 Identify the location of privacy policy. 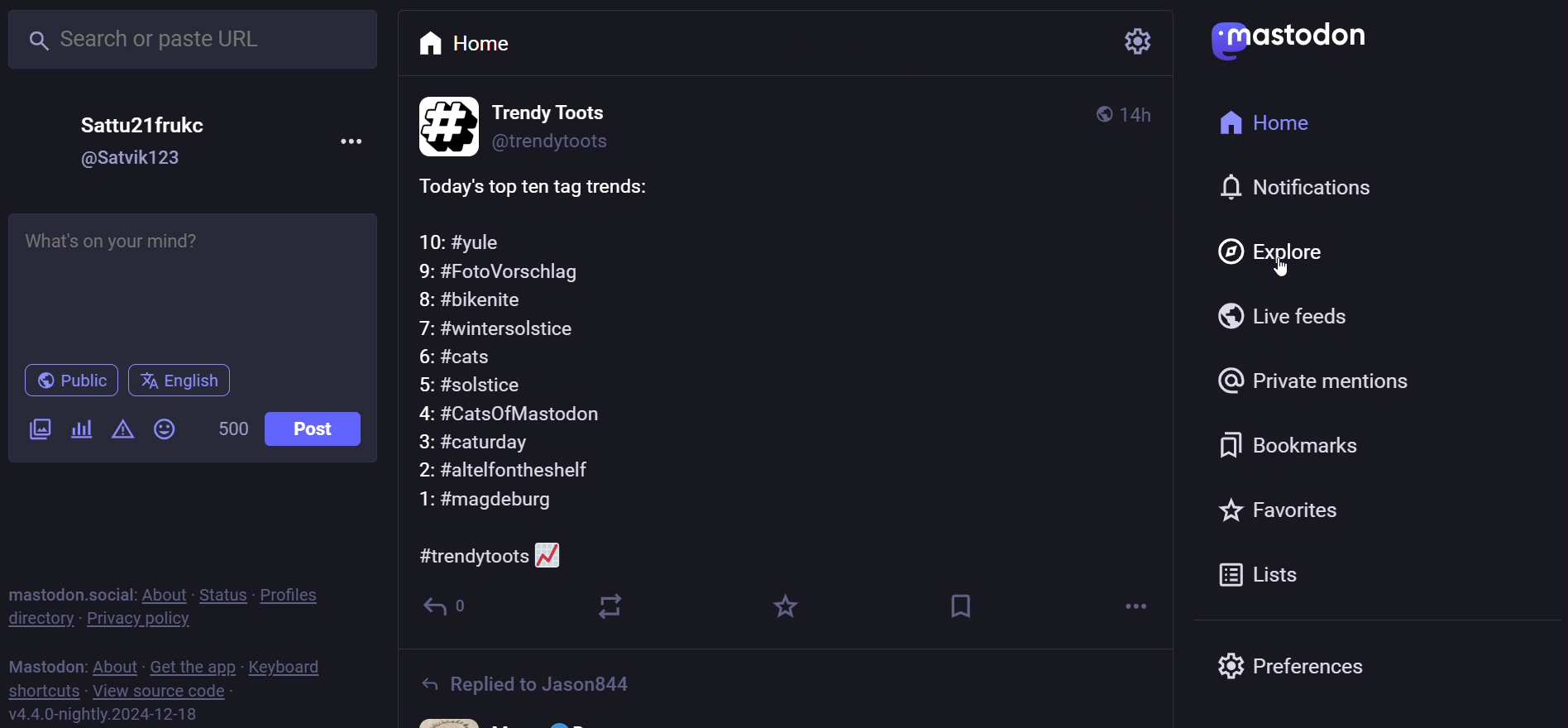
(135, 620).